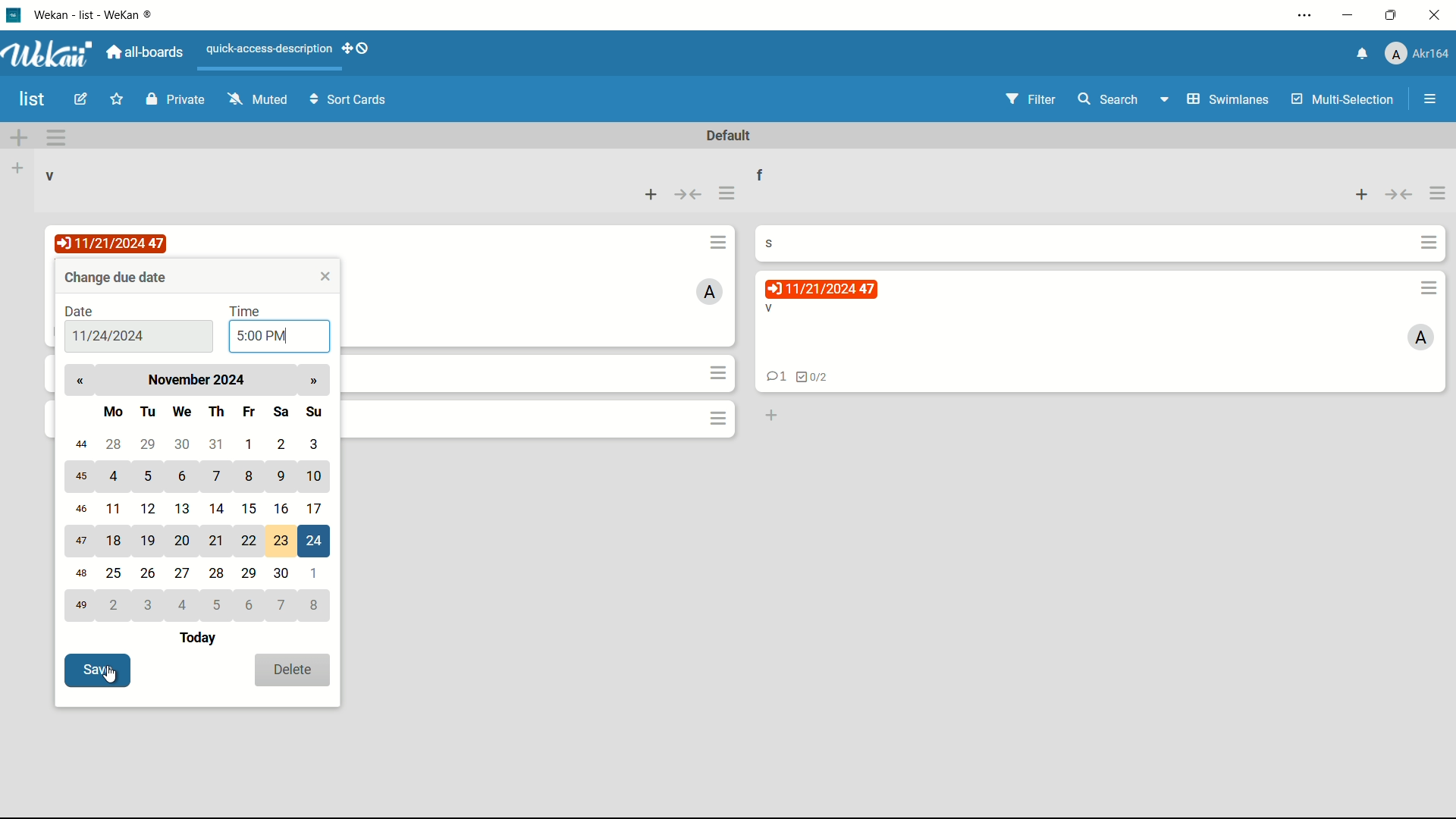  What do you see at coordinates (82, 477) in the screenshot?
I see `45` at bounding box center [82, 477].